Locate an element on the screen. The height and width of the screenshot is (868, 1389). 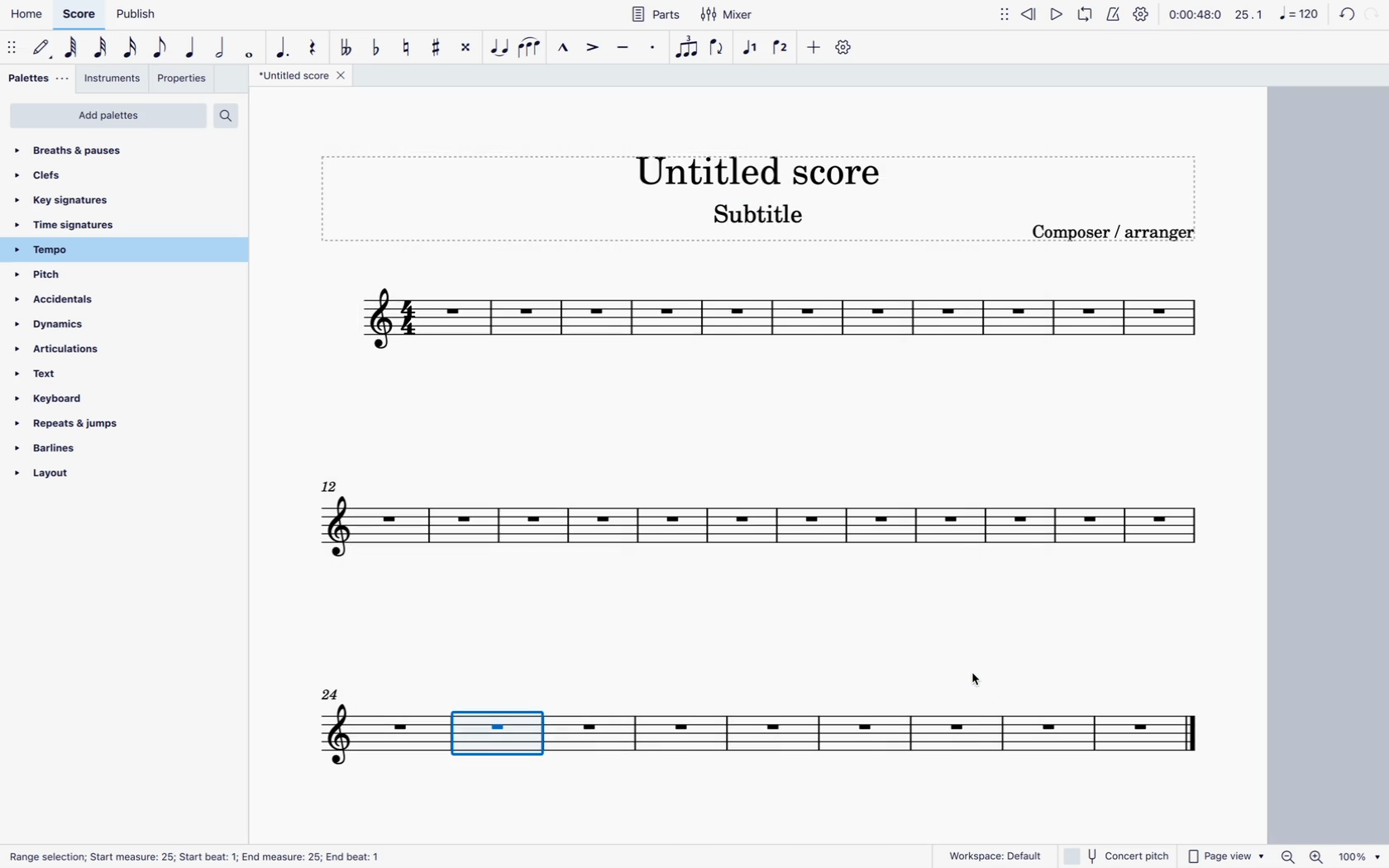
tuplet is located at coordinates (686, 48).